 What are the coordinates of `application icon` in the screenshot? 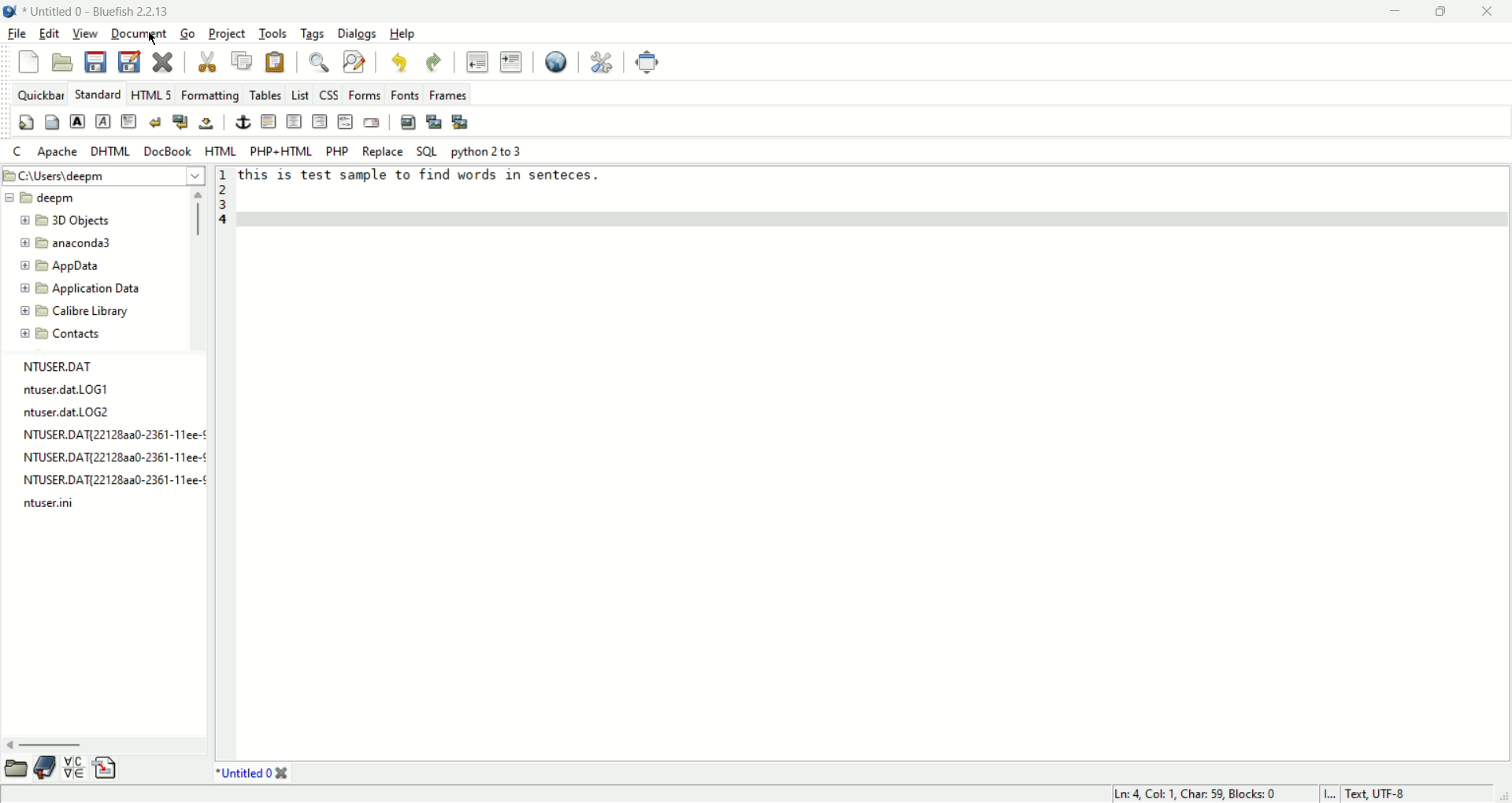 It's located at (9, 11).